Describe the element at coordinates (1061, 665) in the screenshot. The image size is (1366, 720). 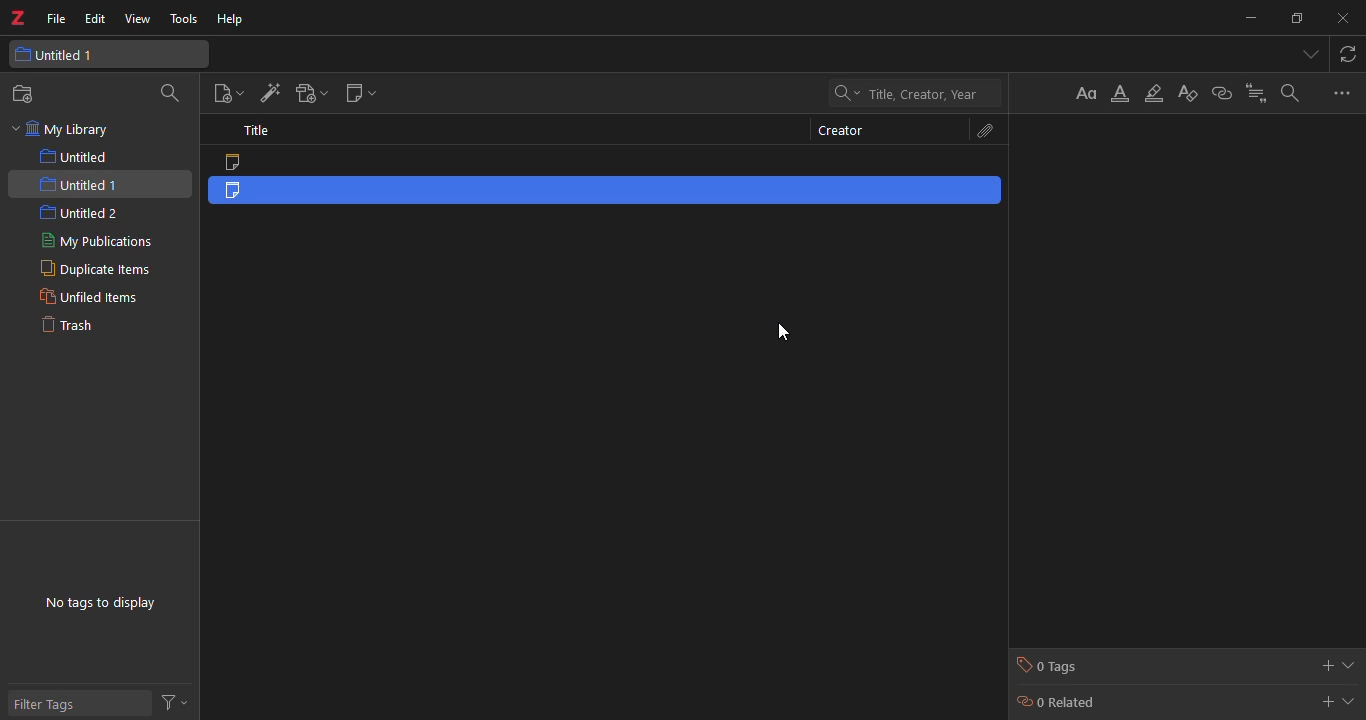
I see `0 tags` at that location.